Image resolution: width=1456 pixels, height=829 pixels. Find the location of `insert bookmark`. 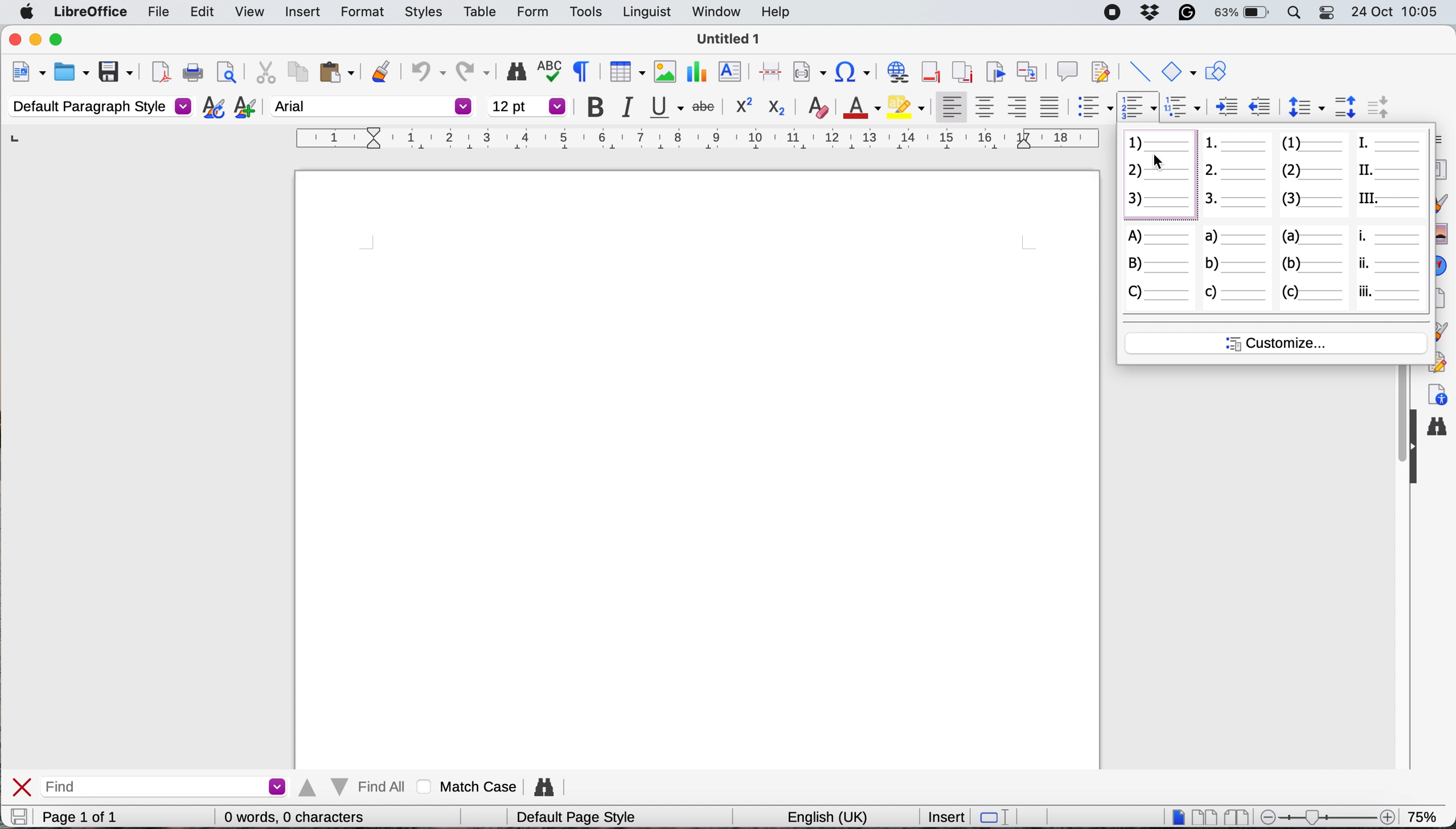

insert bookmark is located at coordinates (994, 71).